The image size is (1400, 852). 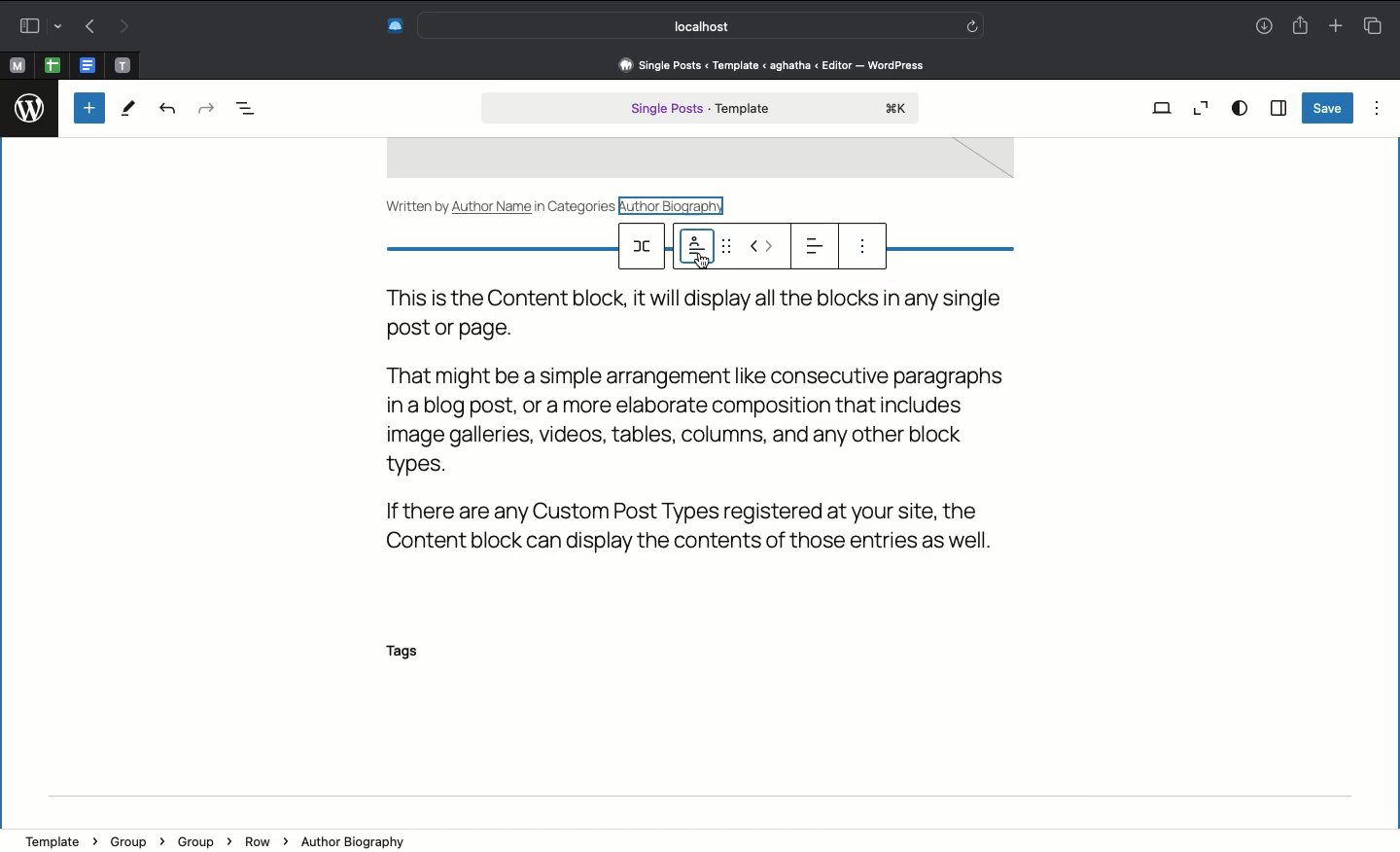 What do you see at coordinates (167, 110) in the screenshot?
I see `Undo` at bounding box center [167, 110].